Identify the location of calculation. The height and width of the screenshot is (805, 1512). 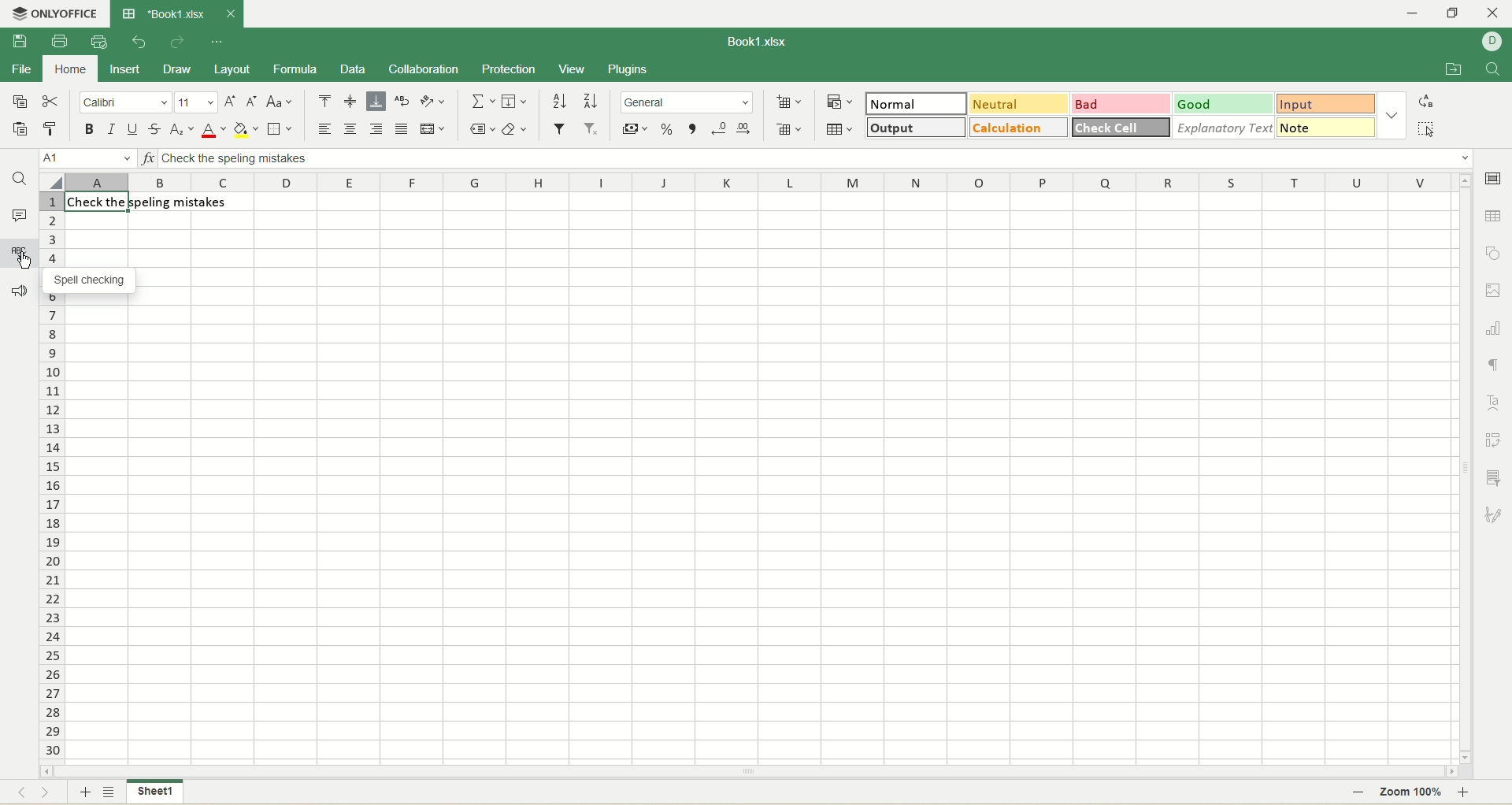
(1019, 128).